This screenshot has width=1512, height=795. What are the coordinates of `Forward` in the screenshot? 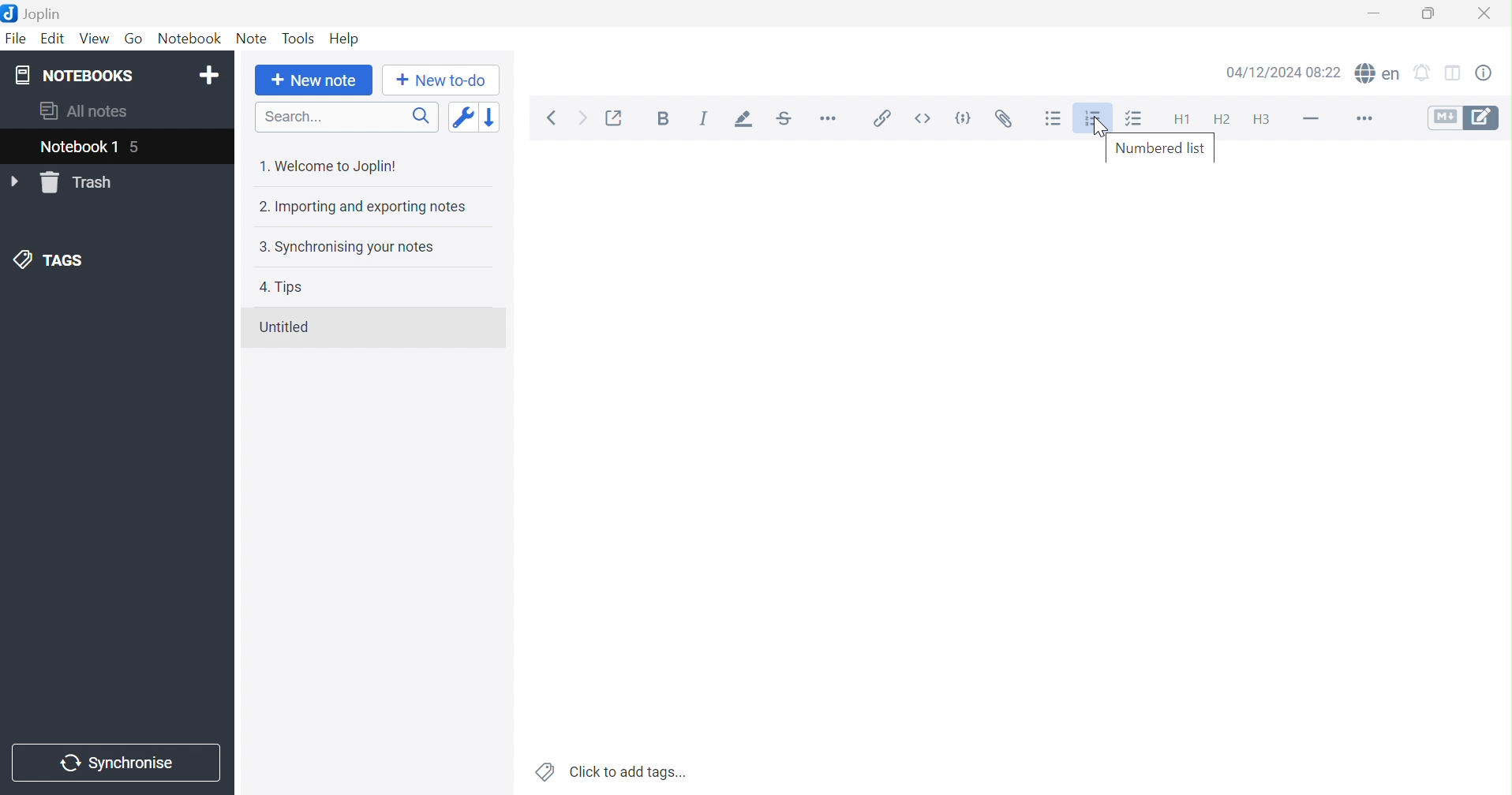 It's located at (582, 118).